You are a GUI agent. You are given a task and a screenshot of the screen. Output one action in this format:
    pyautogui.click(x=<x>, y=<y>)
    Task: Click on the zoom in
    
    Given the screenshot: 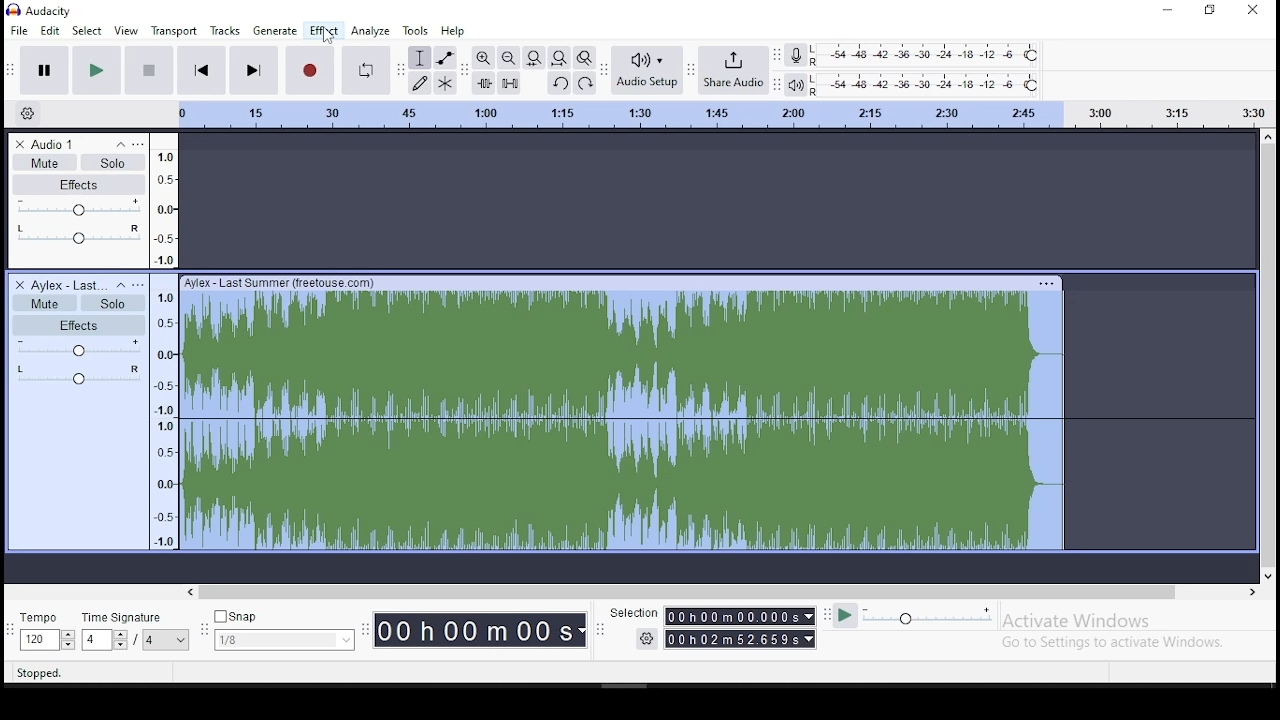 What is the action you would take?
    pyautogui.click(x=483, y=58)
    